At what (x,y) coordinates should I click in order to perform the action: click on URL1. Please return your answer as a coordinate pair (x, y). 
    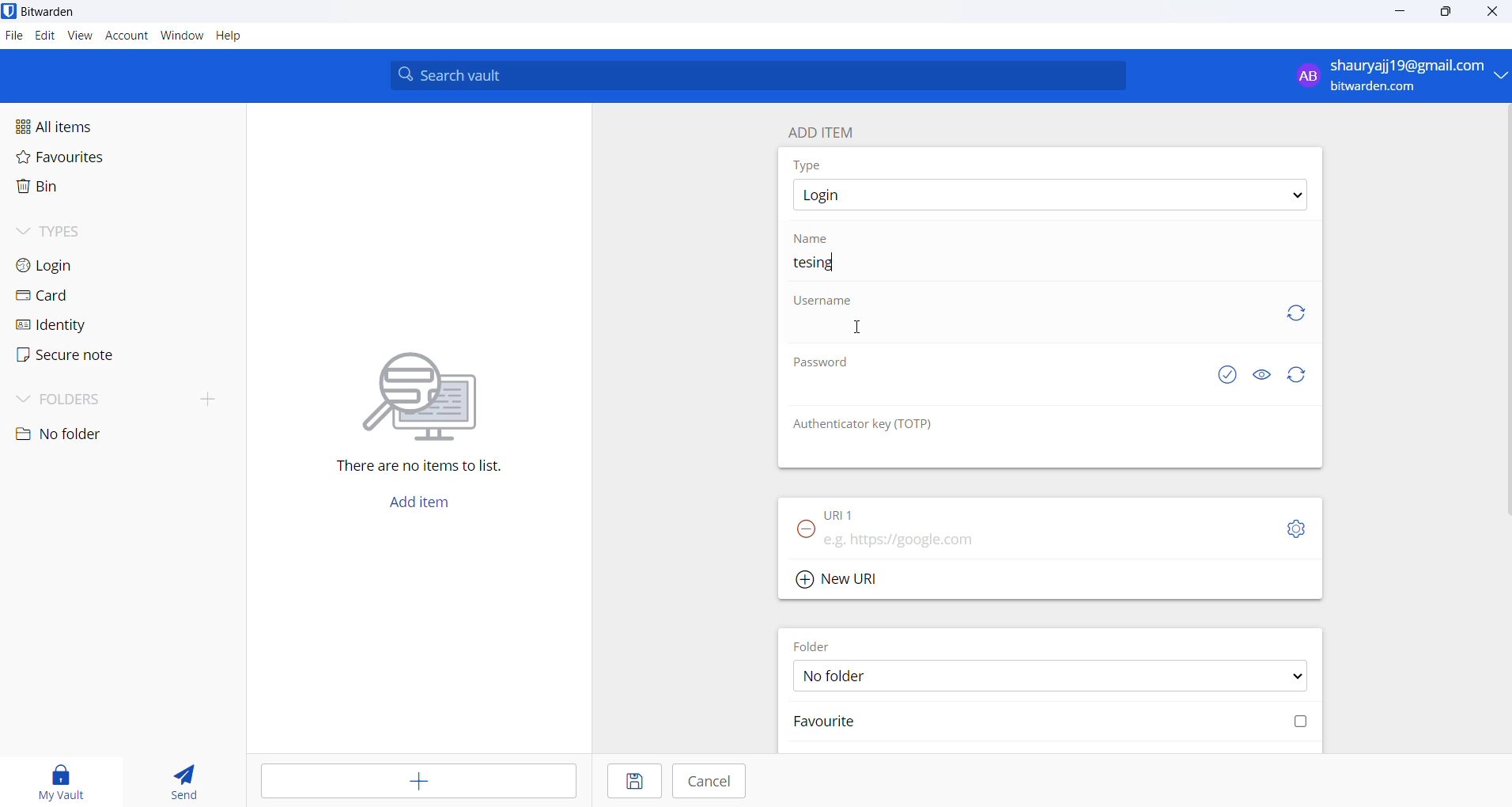
    Looking at the image, I should click on (853, 511).